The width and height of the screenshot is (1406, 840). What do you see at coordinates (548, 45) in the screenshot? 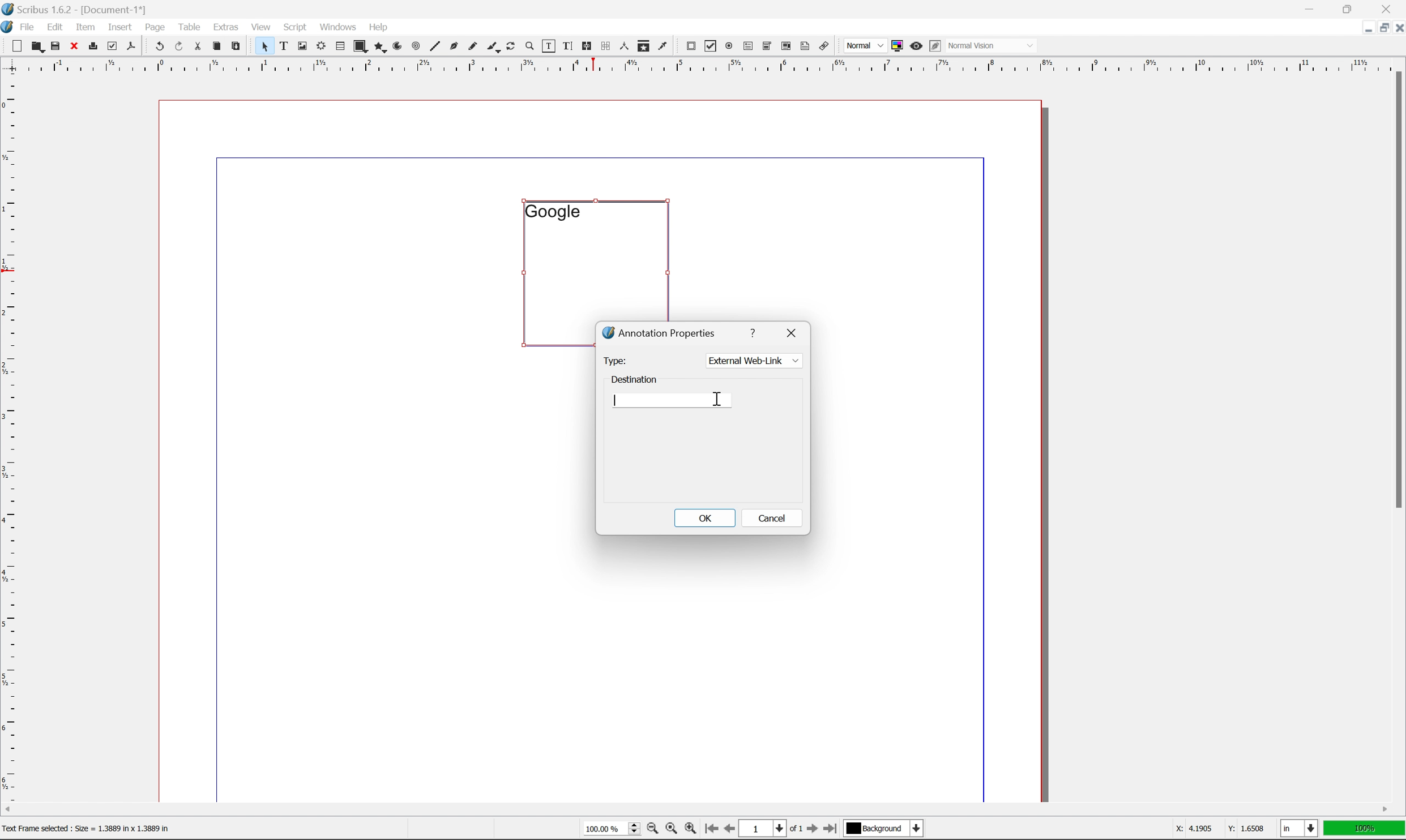
I see `edit contents of frame` at bounding box center [548, 45].